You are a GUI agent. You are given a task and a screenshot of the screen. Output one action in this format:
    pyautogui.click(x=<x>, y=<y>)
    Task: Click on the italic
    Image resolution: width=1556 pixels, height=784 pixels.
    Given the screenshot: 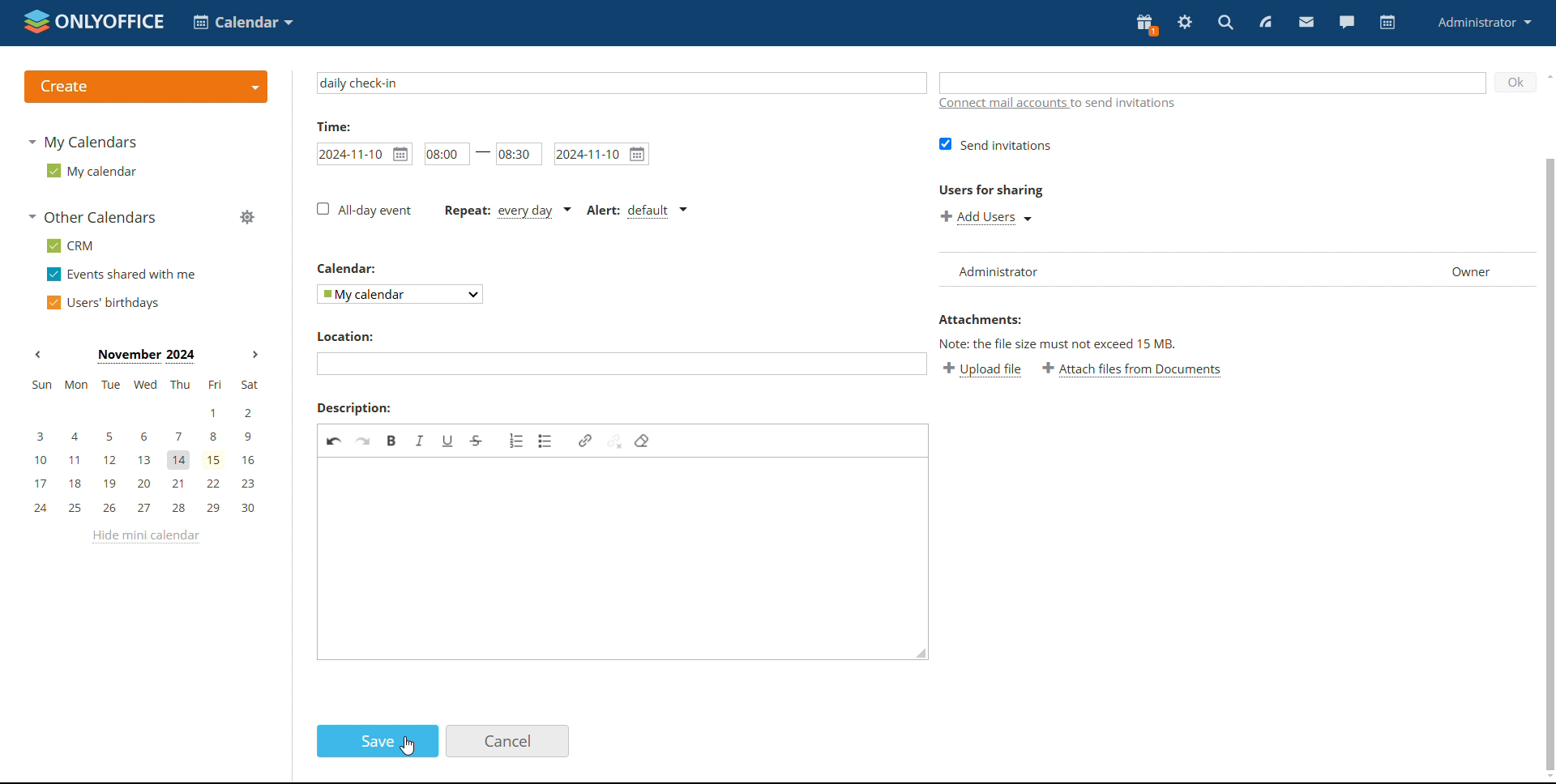 What is the action you would take?
    pyautogui.click(x=425, y=443)
    